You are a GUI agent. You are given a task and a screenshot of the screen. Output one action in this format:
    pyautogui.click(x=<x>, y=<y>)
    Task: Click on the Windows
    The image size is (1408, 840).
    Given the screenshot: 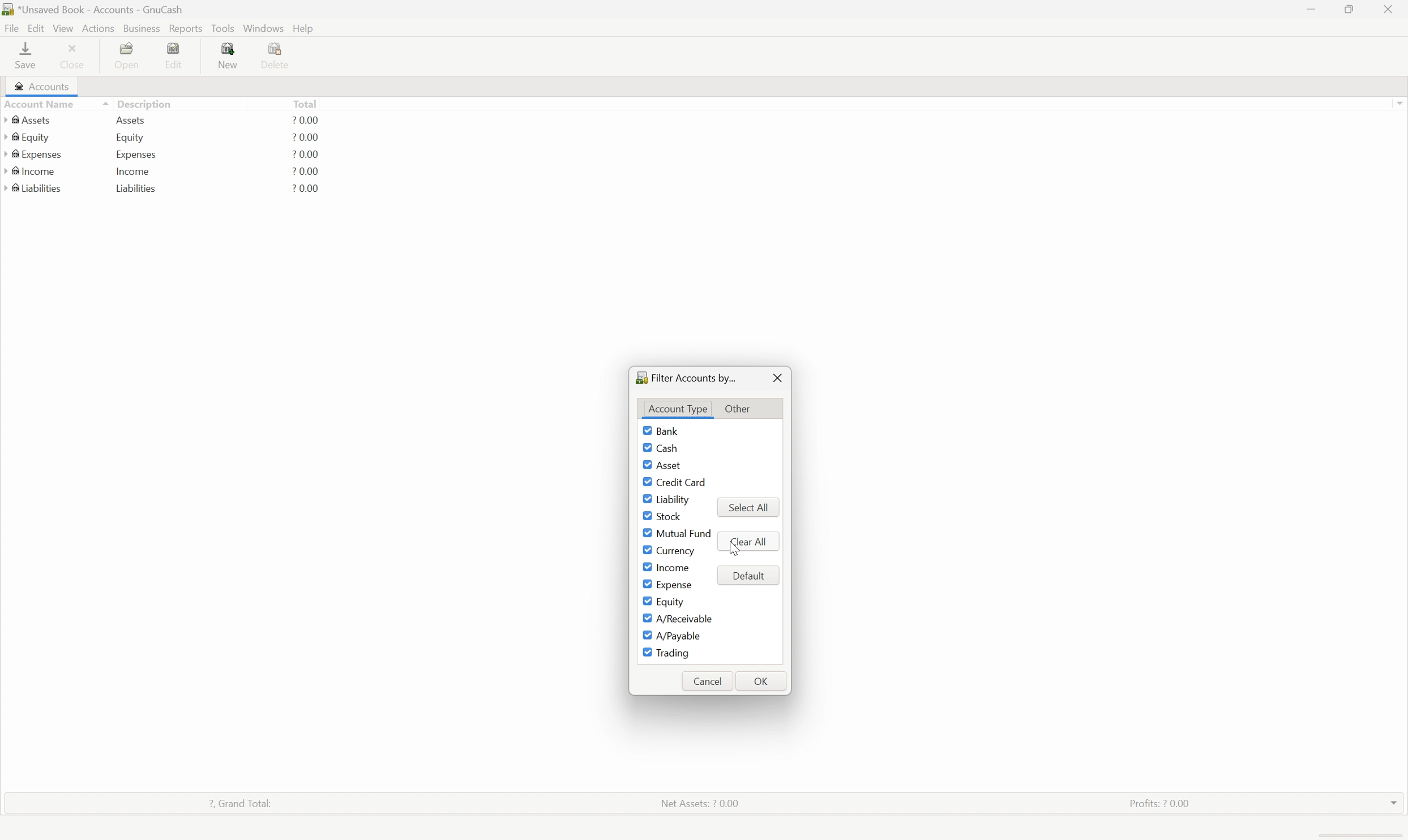 What is the action you would take?
    pyautogui.click(x=264, y=28)
    